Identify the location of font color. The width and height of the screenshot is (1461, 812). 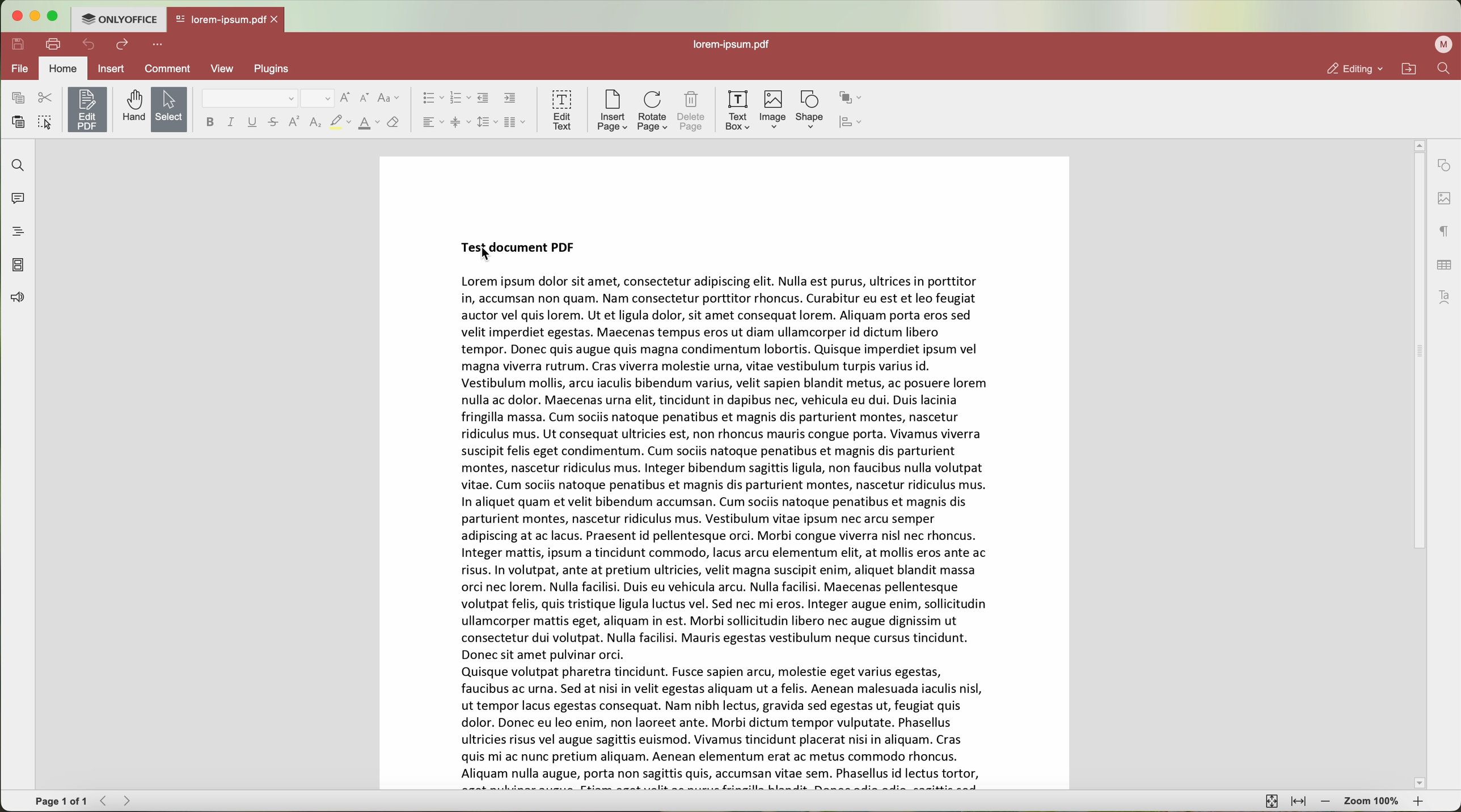
(367, 122).